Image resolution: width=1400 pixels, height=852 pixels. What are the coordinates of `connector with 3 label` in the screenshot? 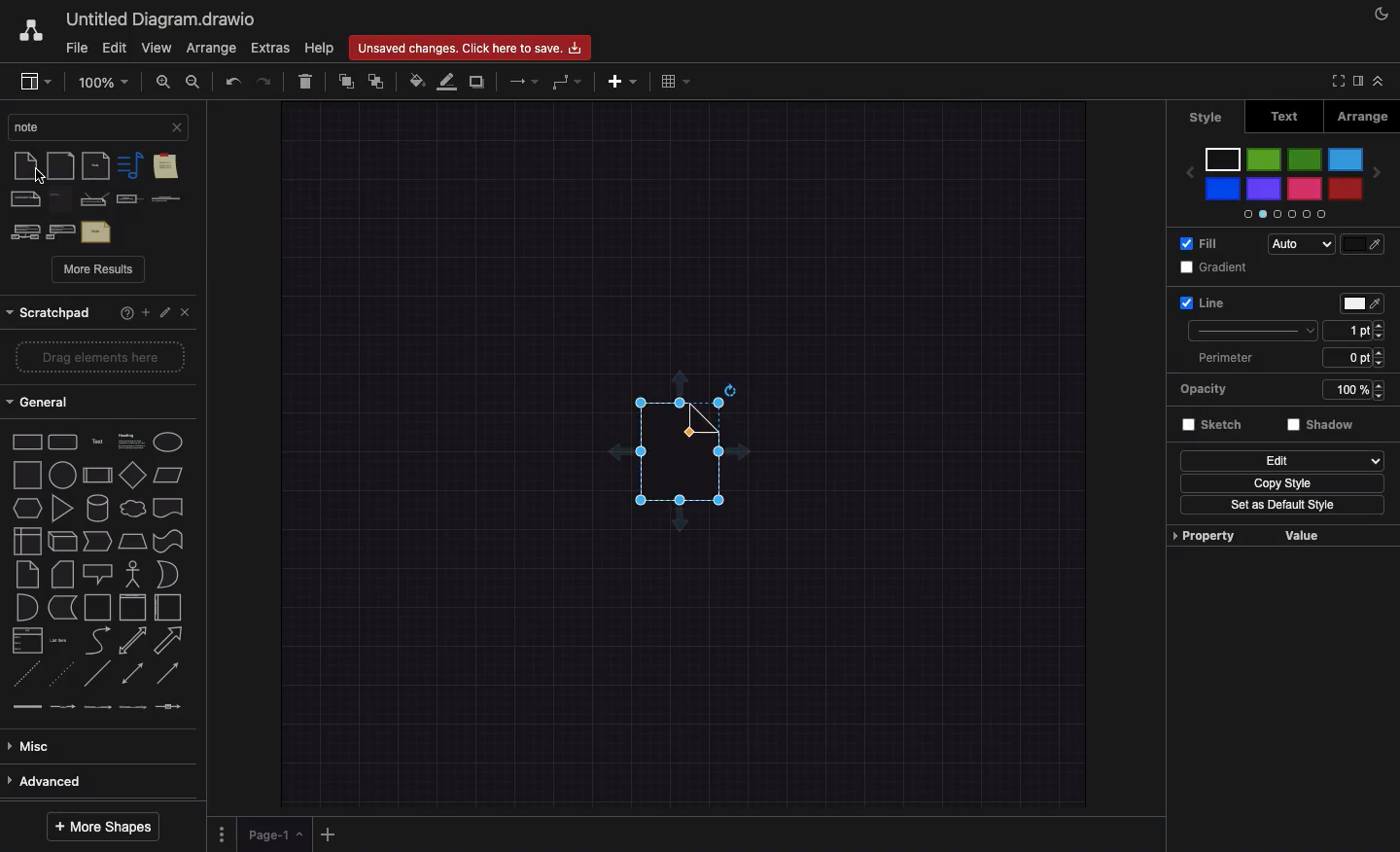 It's located at (135, 715).